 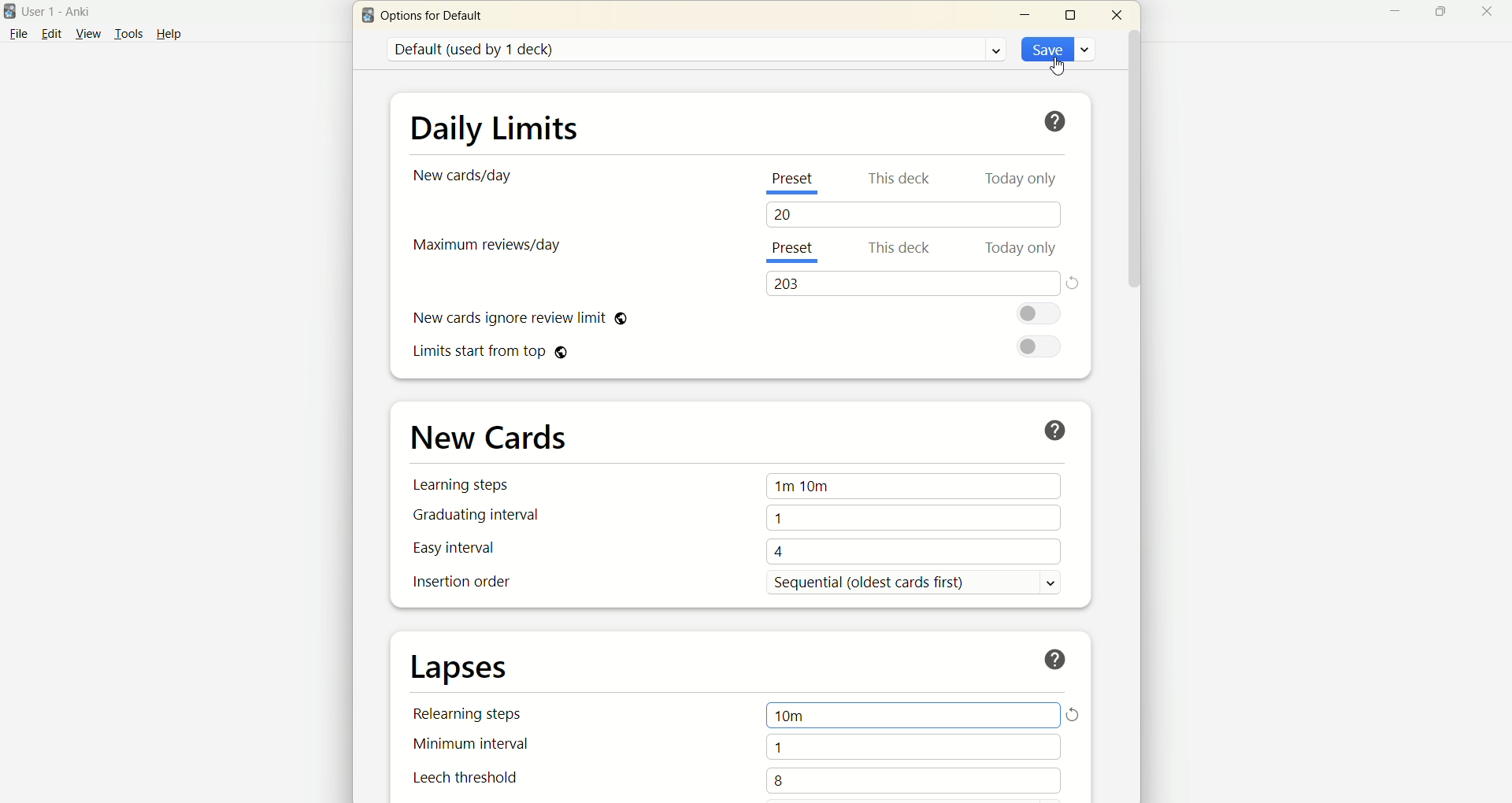 What do you see at coordinates (436, 19) in the screenshot?
I see `options for default` at bounding box center [436, 19].